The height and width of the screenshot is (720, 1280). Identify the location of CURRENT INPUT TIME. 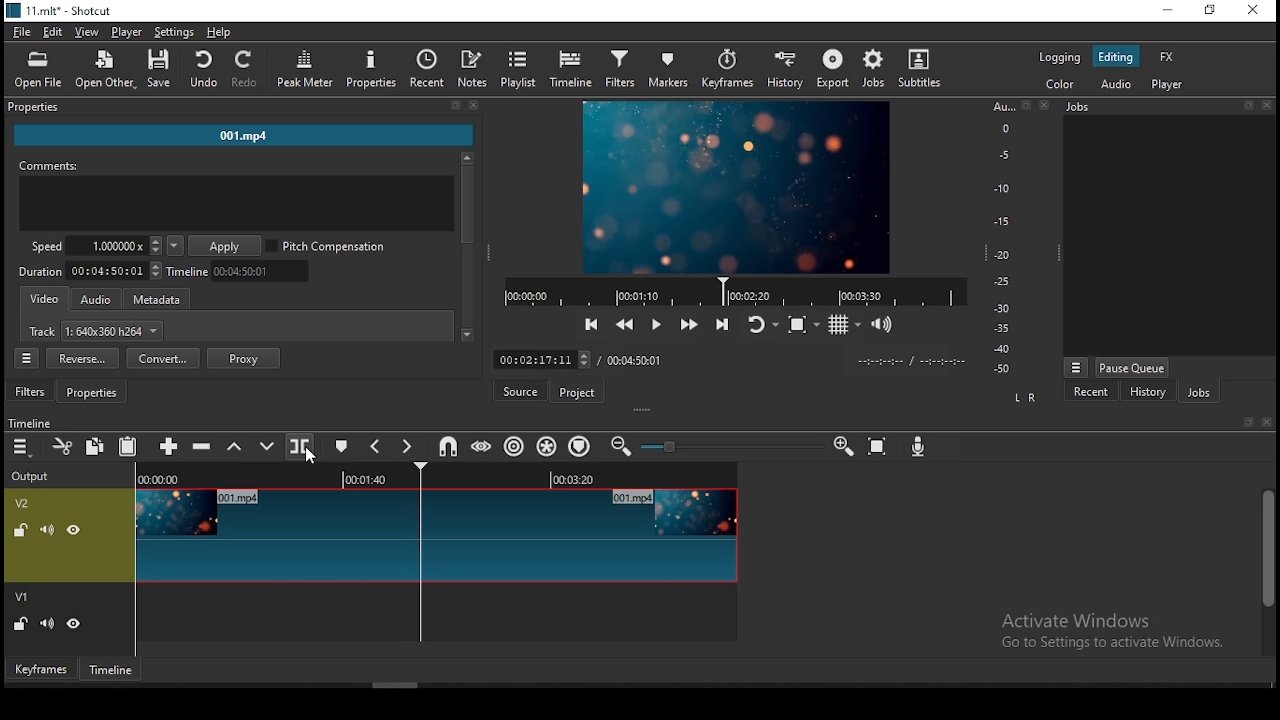
(541, 359).